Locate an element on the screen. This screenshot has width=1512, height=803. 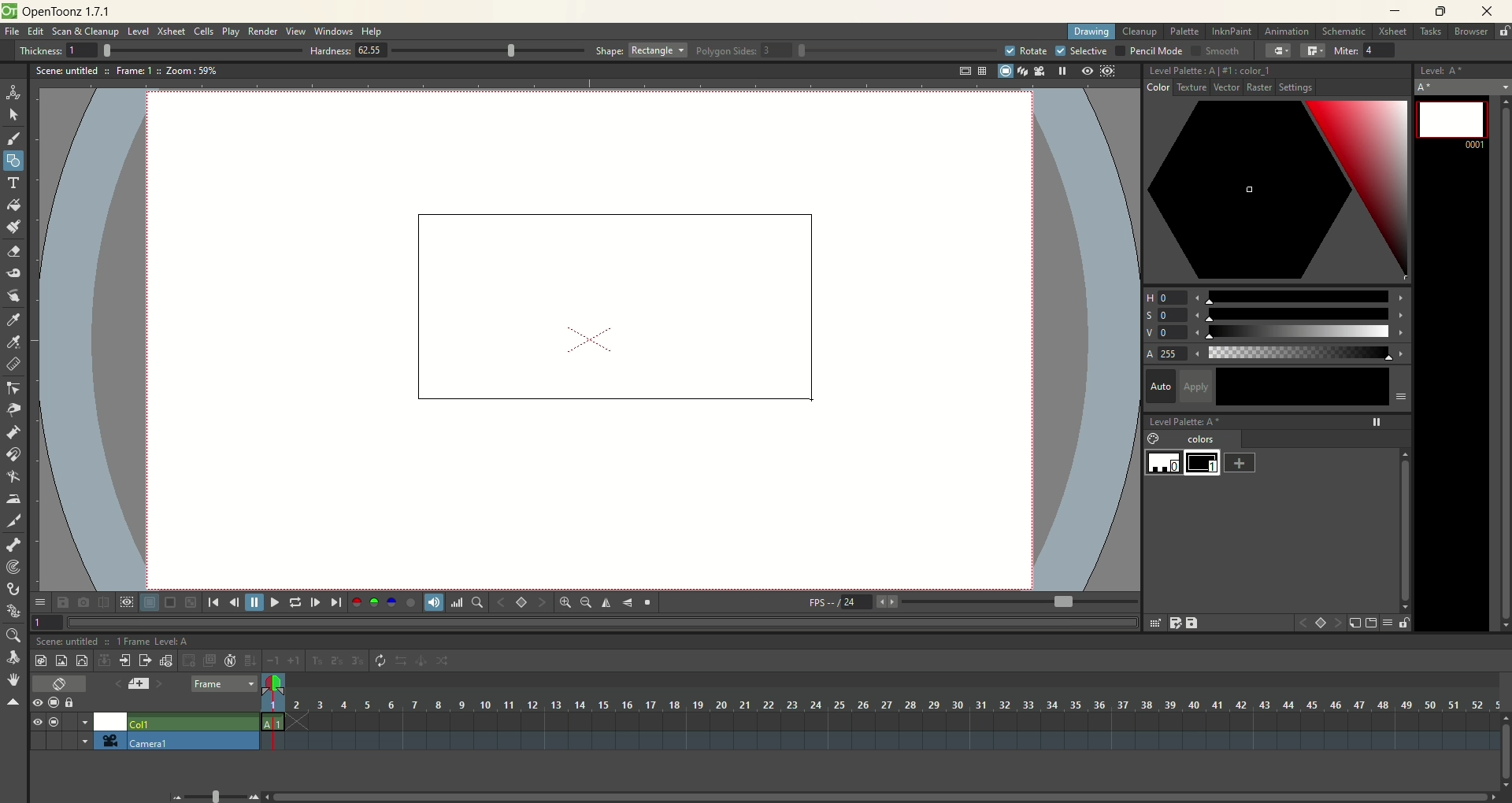
cursor is located at coordinates (818, 399).